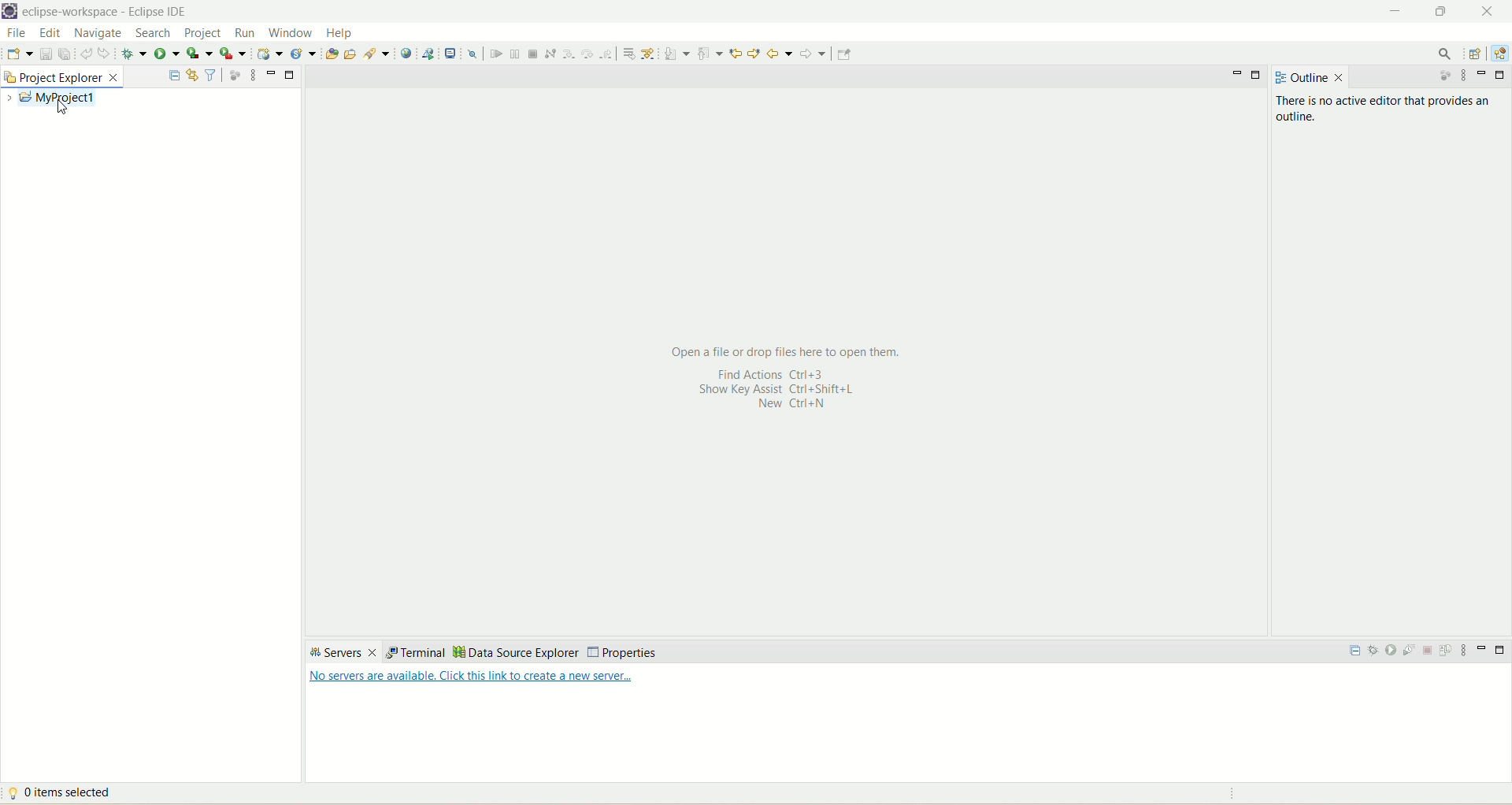  What do you see at coordinates (351, 54) in the screenshot?
I see `open task` at bounding box center [351, 54].